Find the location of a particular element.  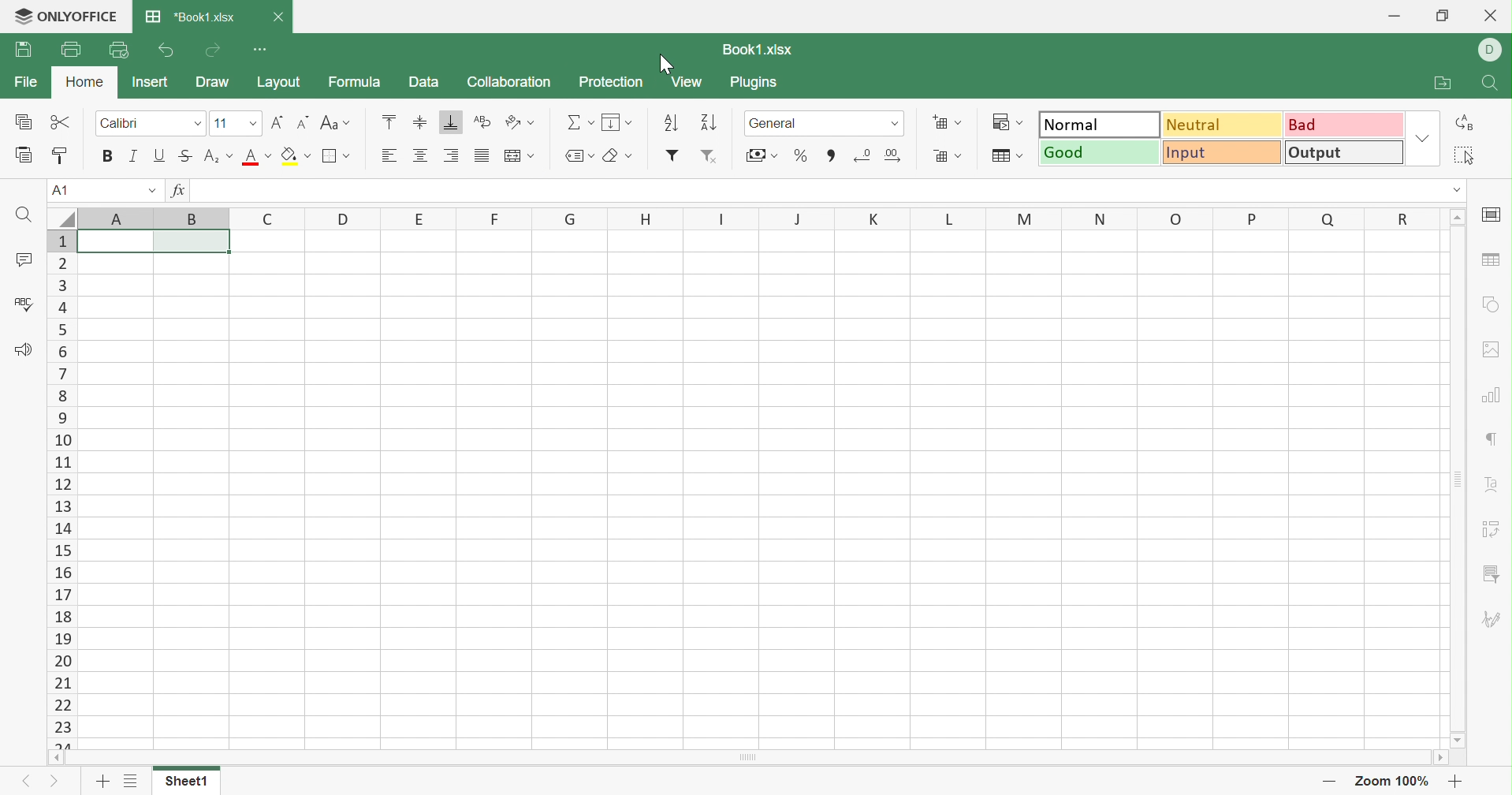

Restore Down is located at coordinates (1447, 16).